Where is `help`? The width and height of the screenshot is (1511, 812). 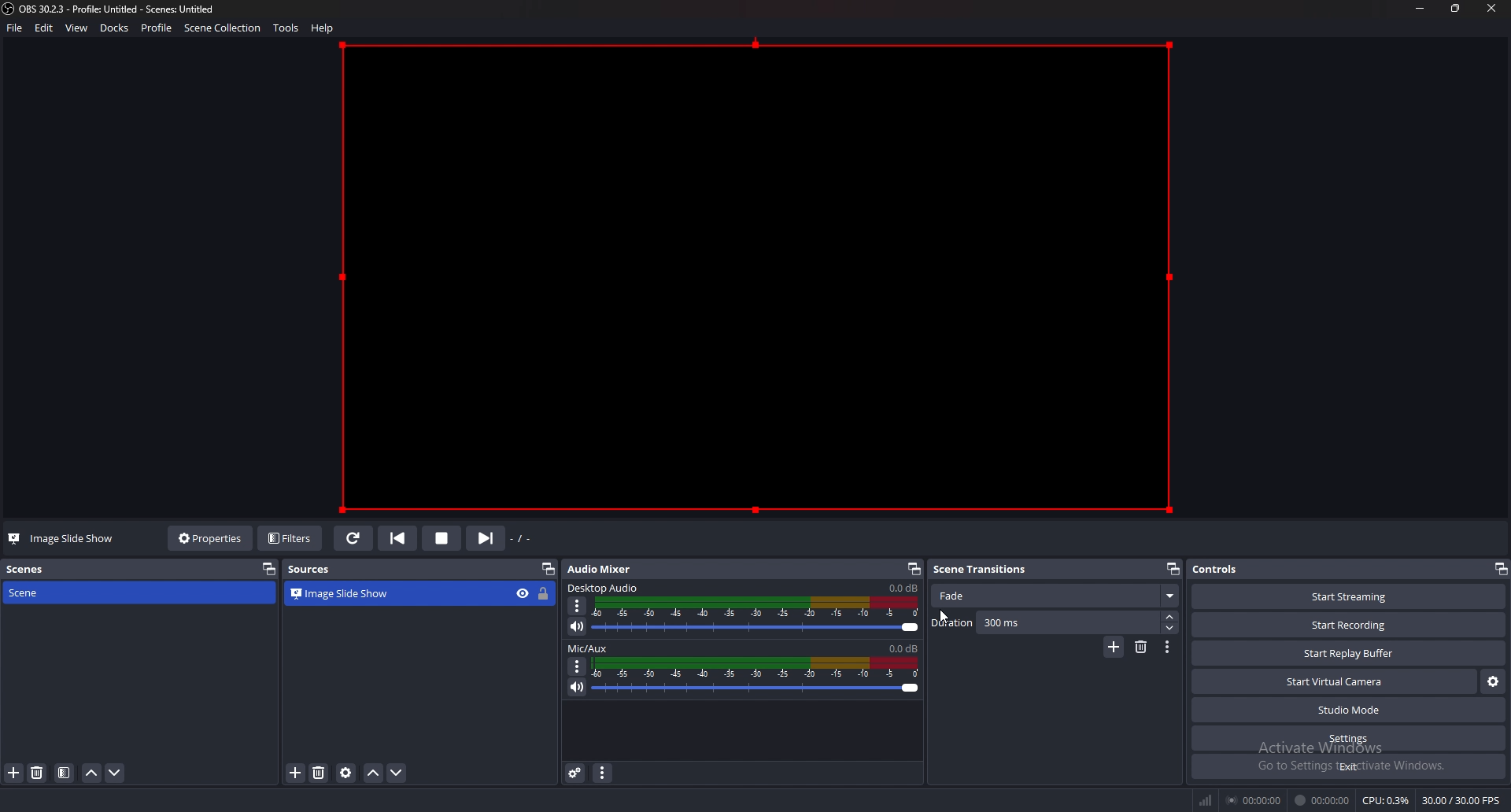 help is located at coordinates (324, 28).